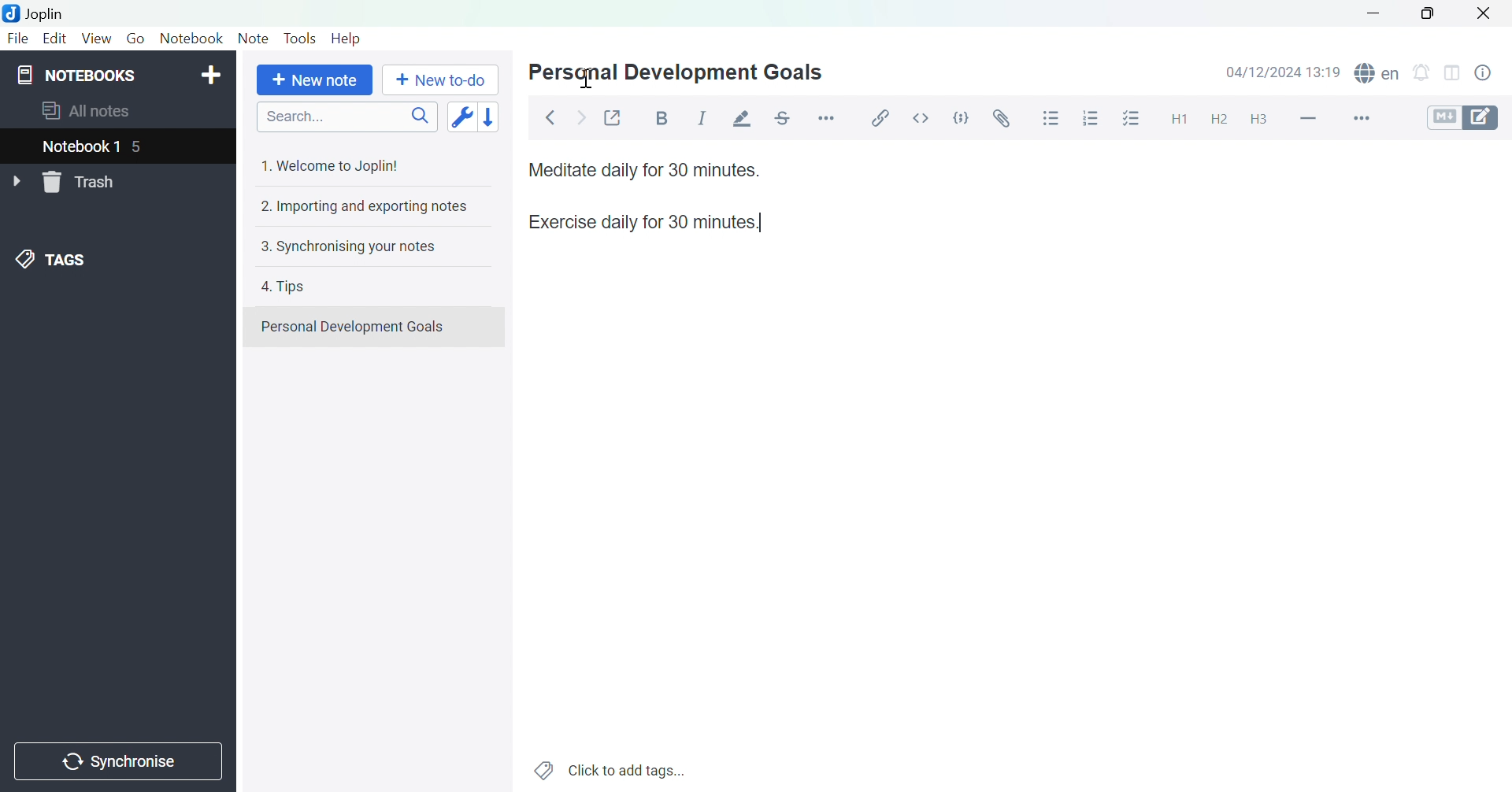 The height and width of the screenshot is (792, 1512). What do you see at coordinates (1218, 121) in the screenshot?
I see `Heading 2` at bounding box center [1218, 121].